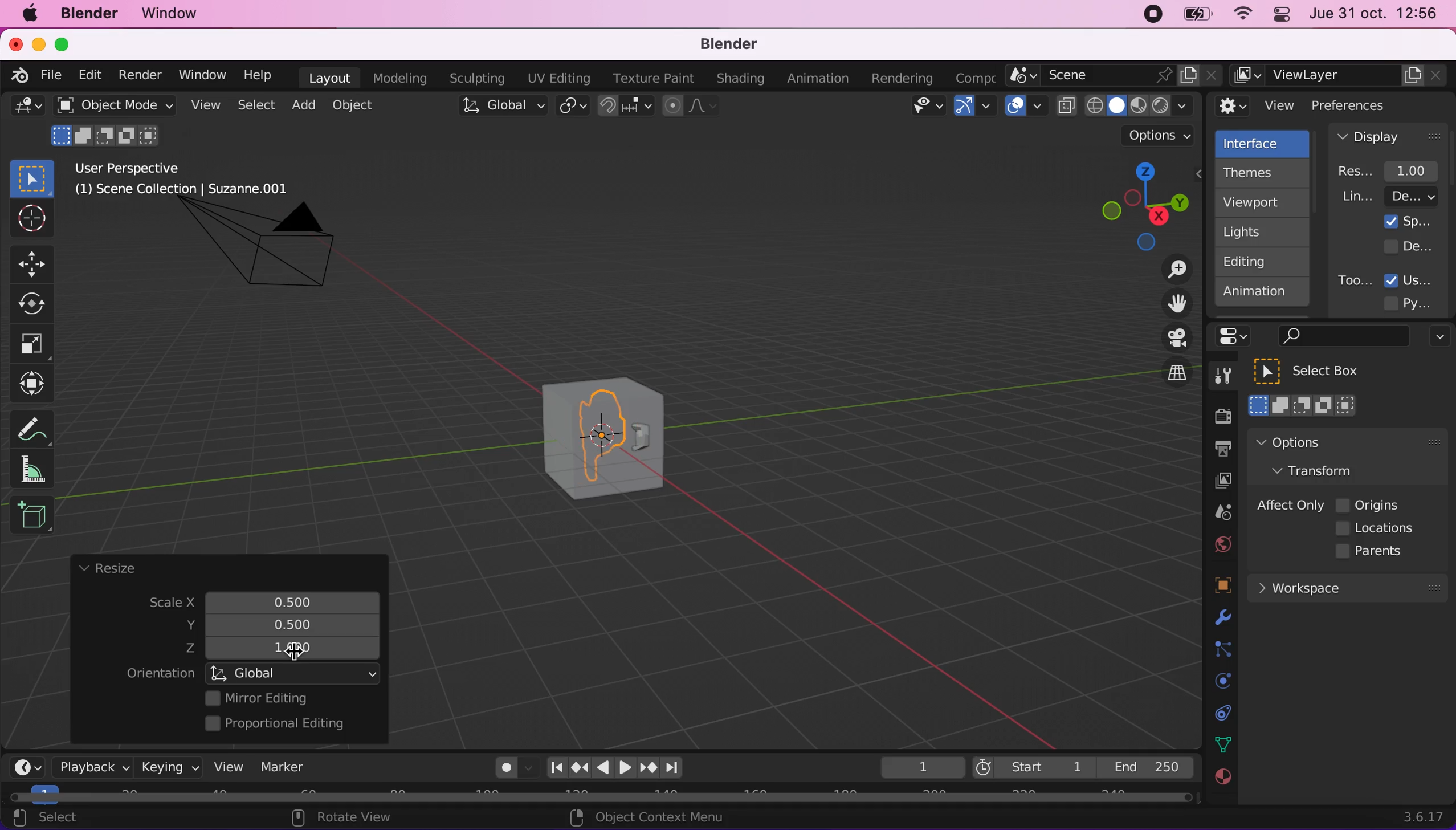  What do you see at coordinates (1257, 261) in the screenshot?
I see `editing` at bounding box center [1257, 261].